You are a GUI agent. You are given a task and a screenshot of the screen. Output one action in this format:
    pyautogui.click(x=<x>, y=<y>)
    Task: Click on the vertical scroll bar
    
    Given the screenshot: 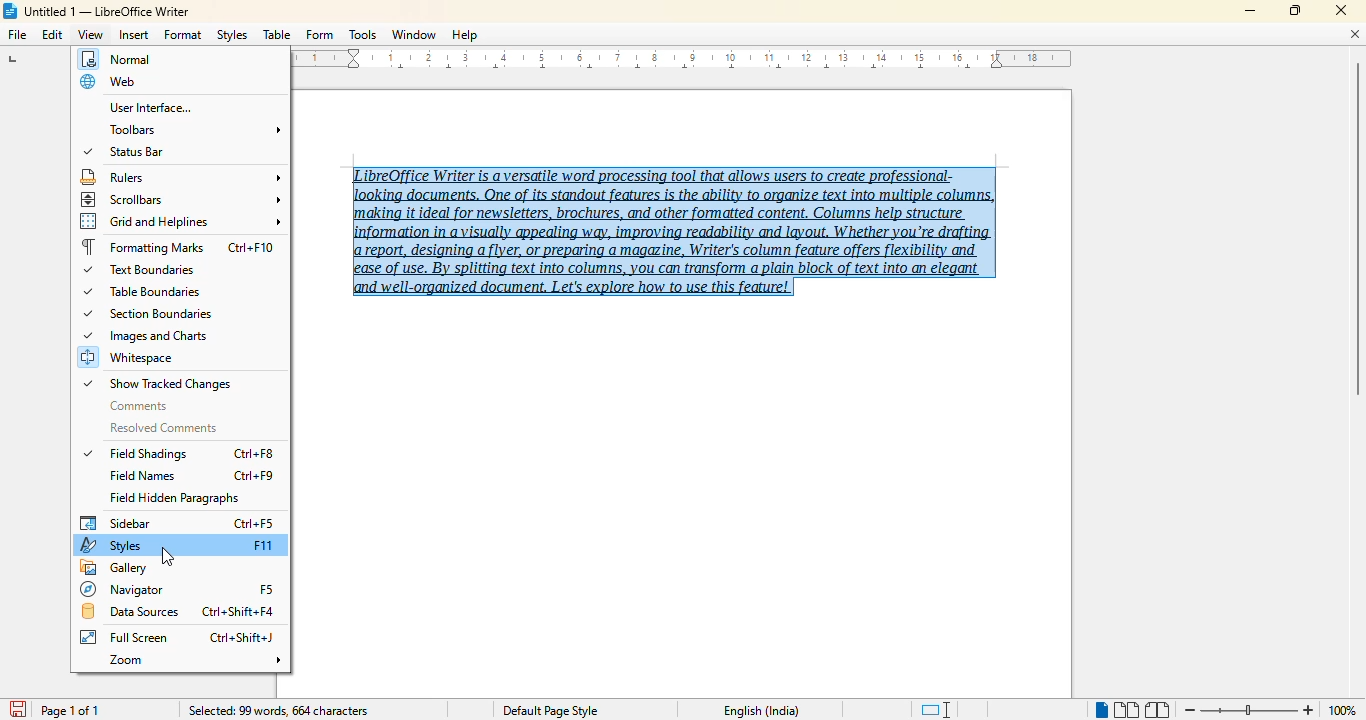 What is the action you would take?
    pyautogui.click(x=1357, y=229)
    